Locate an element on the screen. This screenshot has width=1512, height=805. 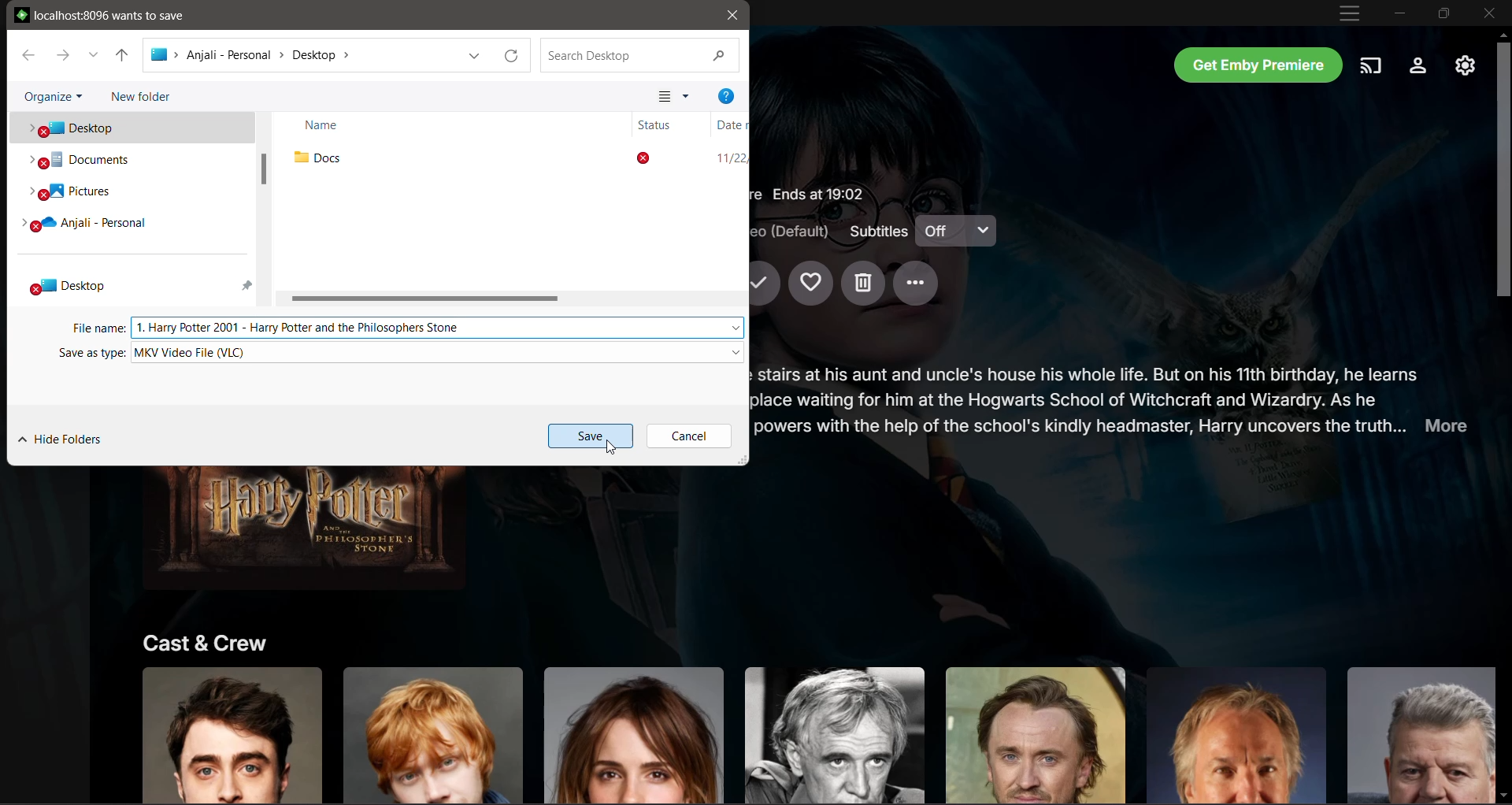
Cancel is located at coordinates (689, 436).